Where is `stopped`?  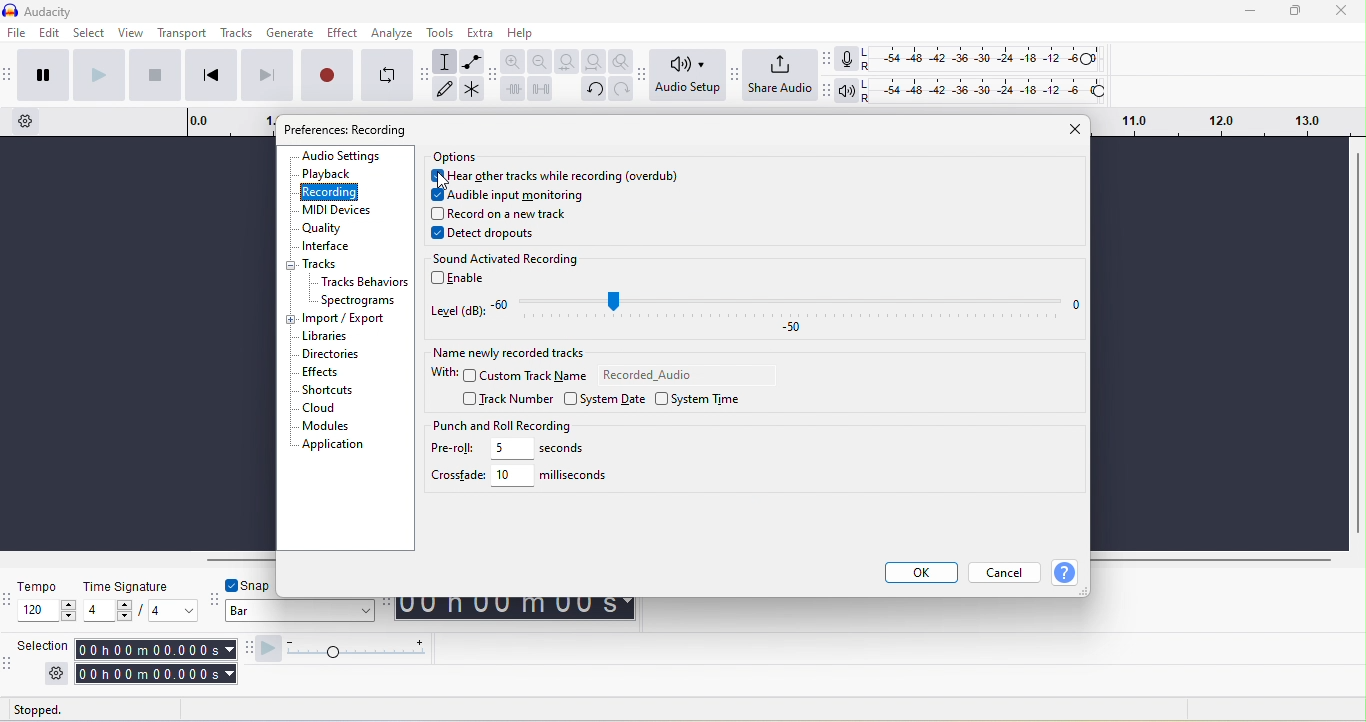
stopped is located at coordinates (62, 711).